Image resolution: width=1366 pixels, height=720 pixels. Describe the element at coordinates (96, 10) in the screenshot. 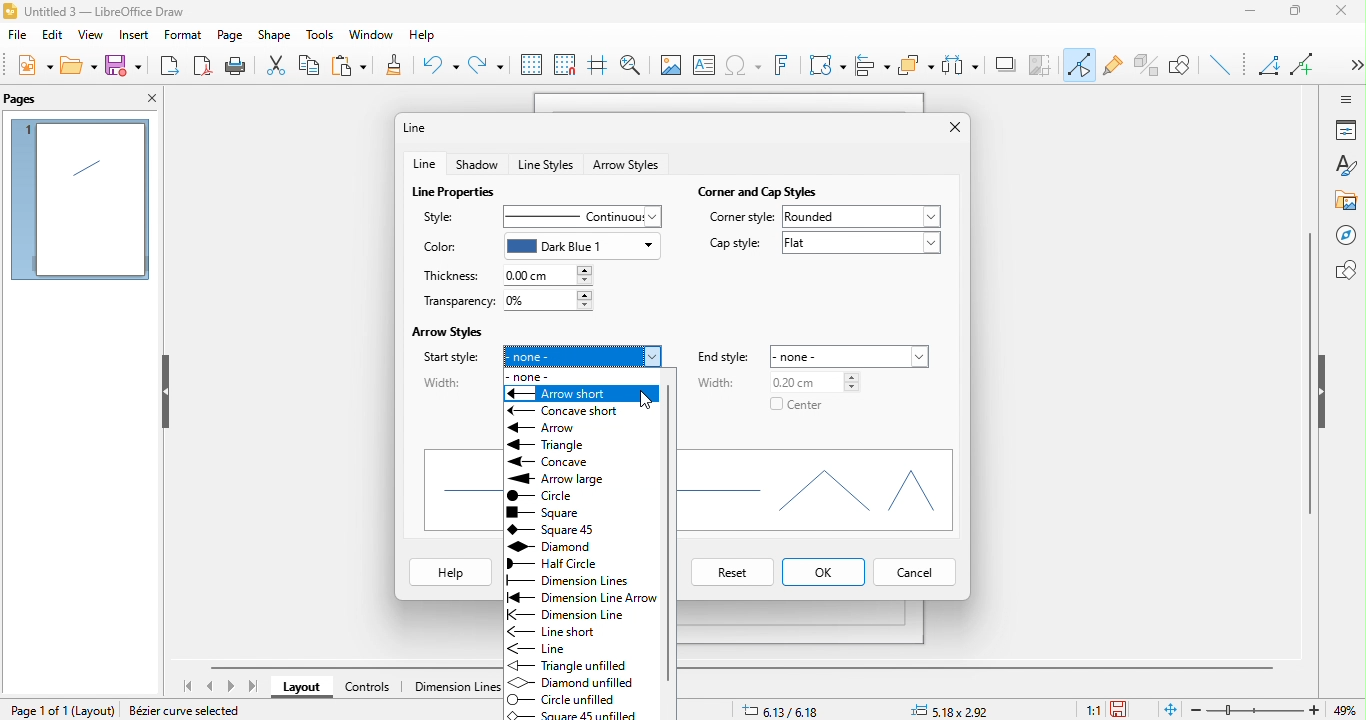

I see `Untitled 3 - LibreOffice Draw` at that location.